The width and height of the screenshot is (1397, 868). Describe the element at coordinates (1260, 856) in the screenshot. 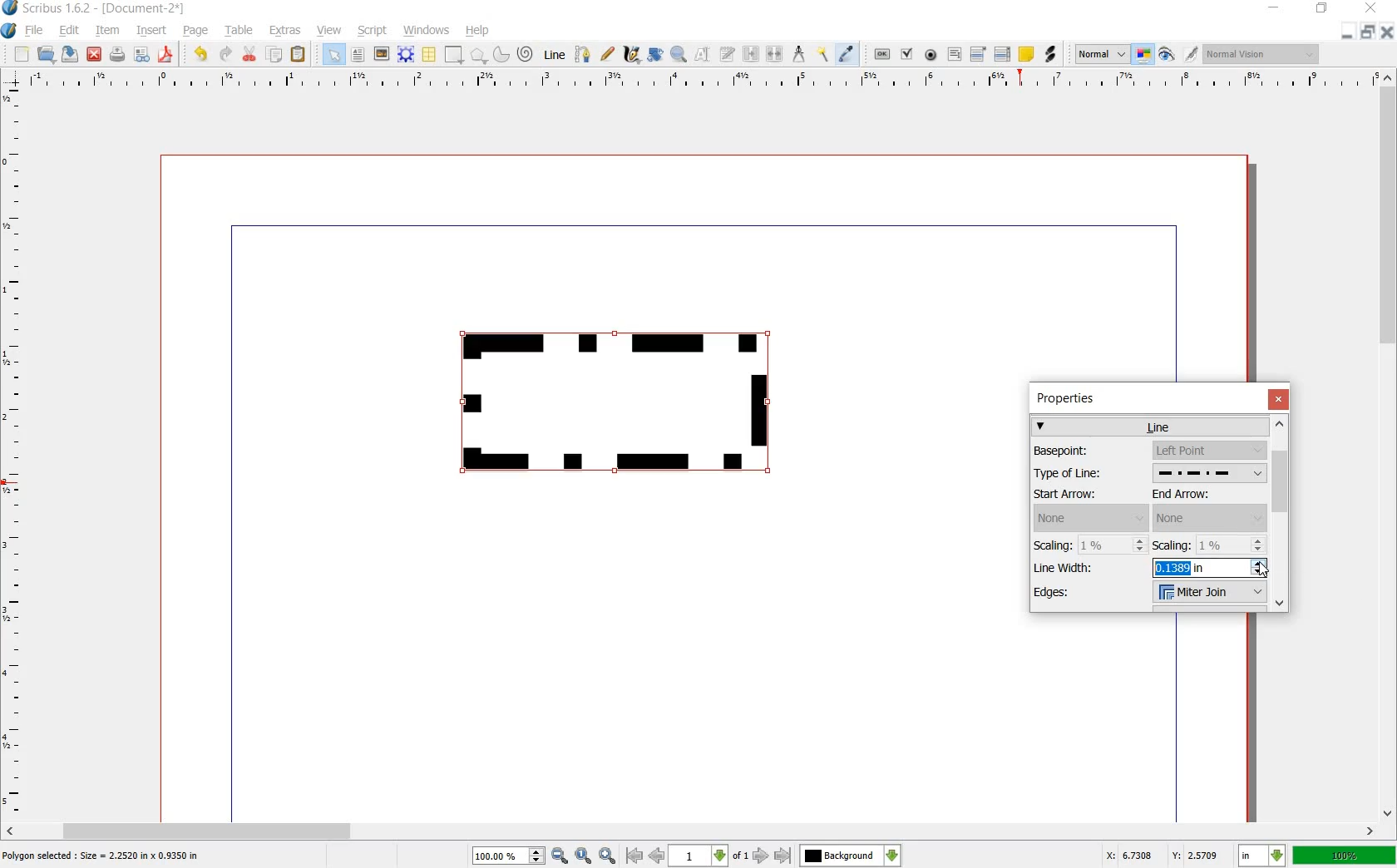

I see `select current unit` at that location.